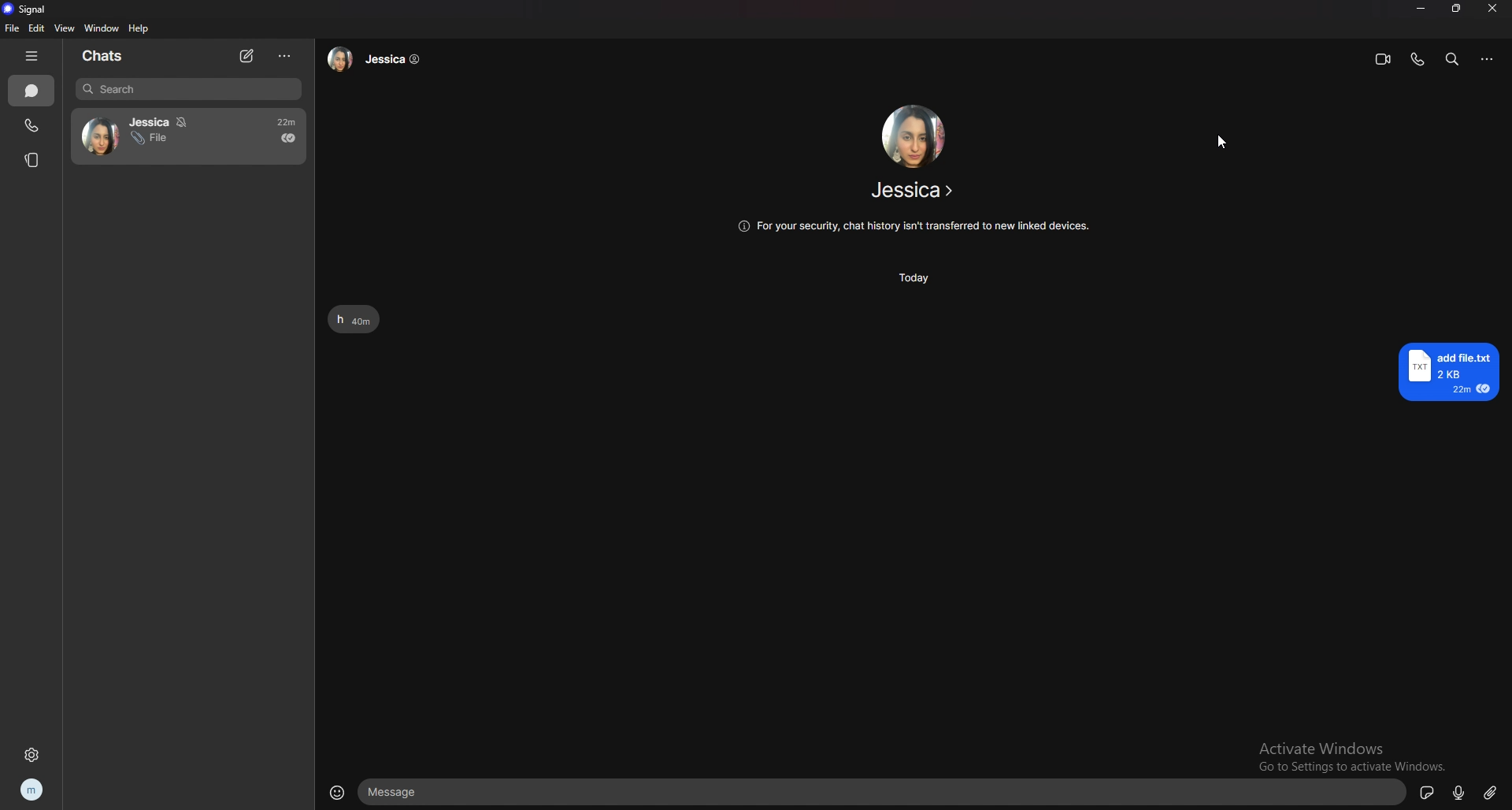  What do you see at coordinates (1428, 791) in the screenshot?
I see `sticker` at bounding box center [1428, 791].